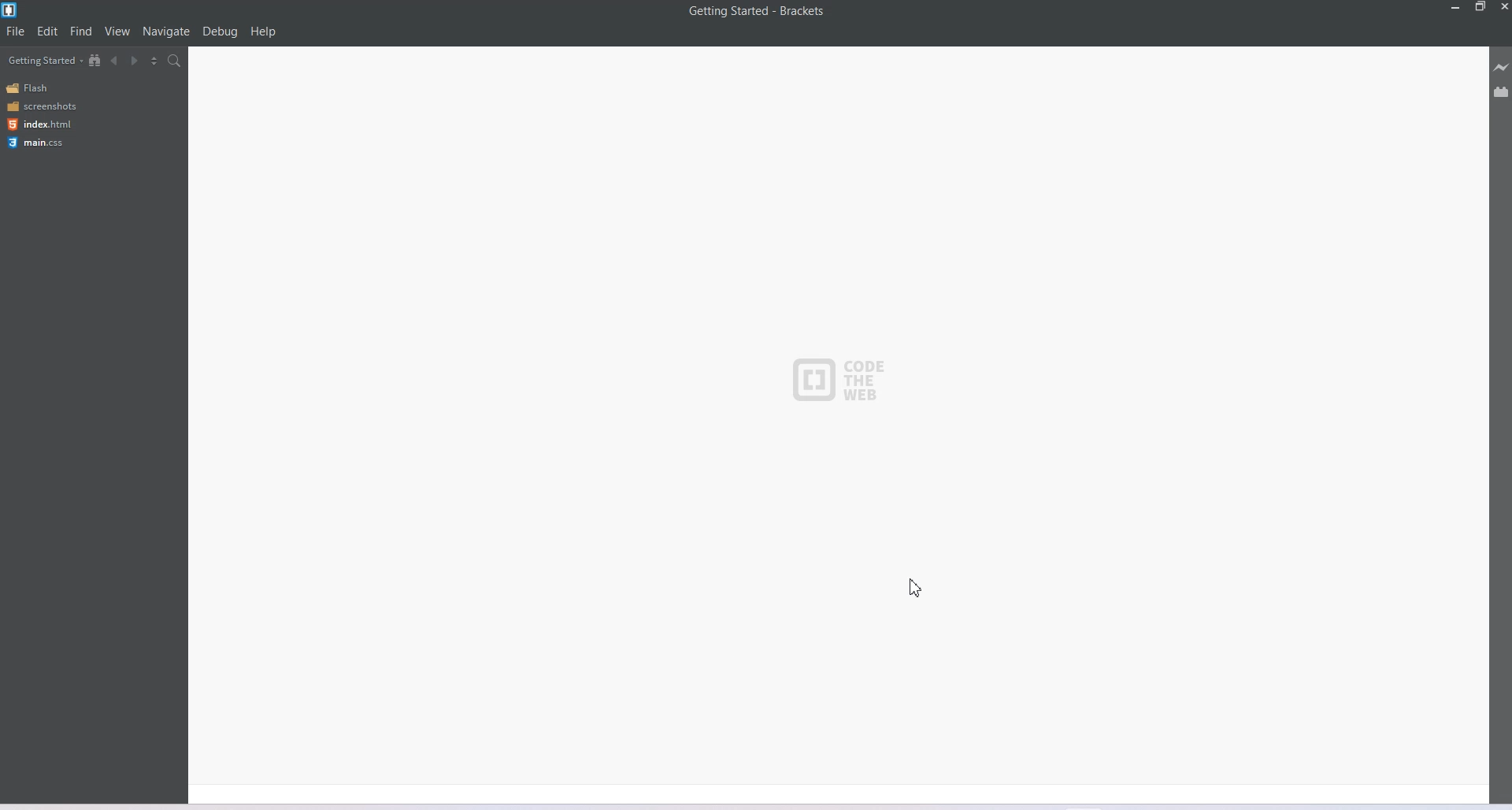 The height and width of the screenshot is (810, 1512). I want to click on Flash, so click(30, 88).